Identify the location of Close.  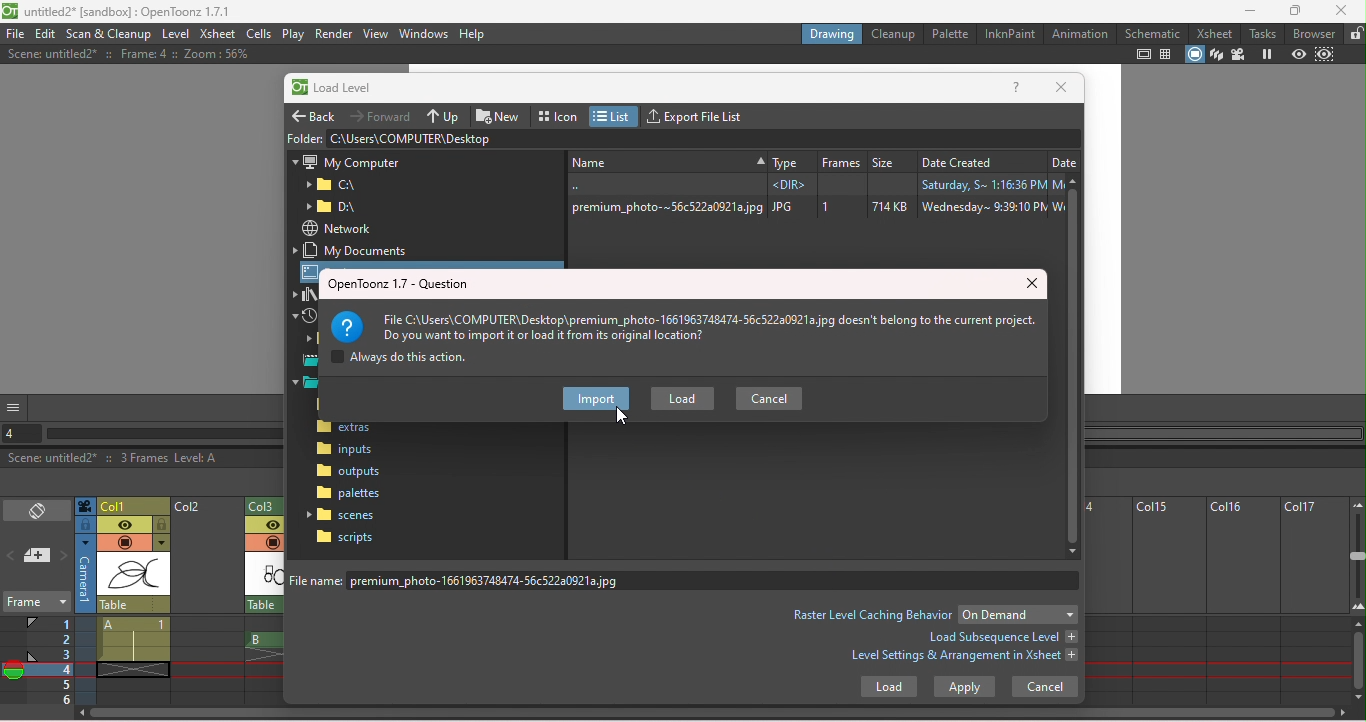
(1061, 88).